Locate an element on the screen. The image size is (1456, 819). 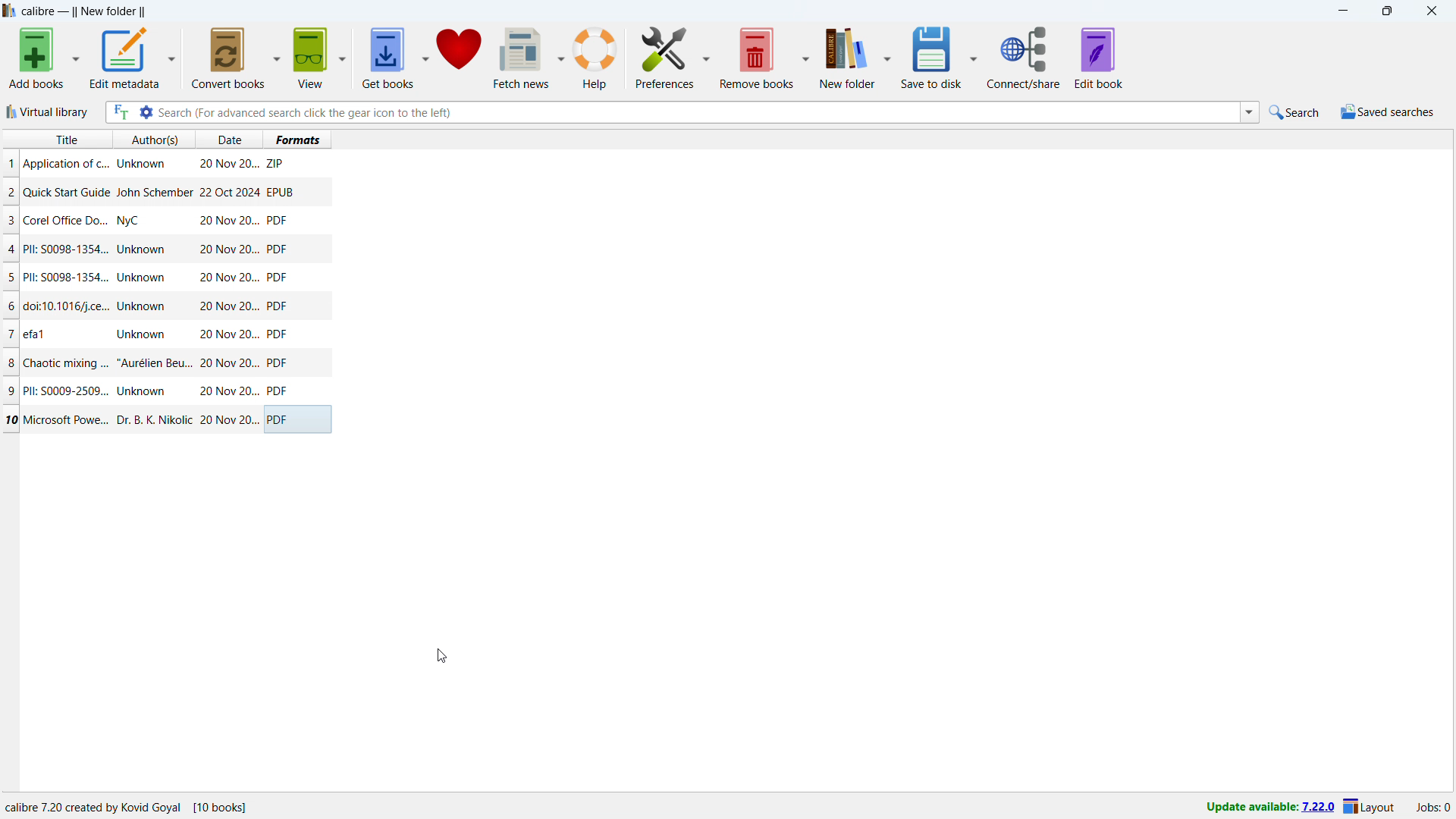
20 Nov 20... is located at coordinates (227, 249).